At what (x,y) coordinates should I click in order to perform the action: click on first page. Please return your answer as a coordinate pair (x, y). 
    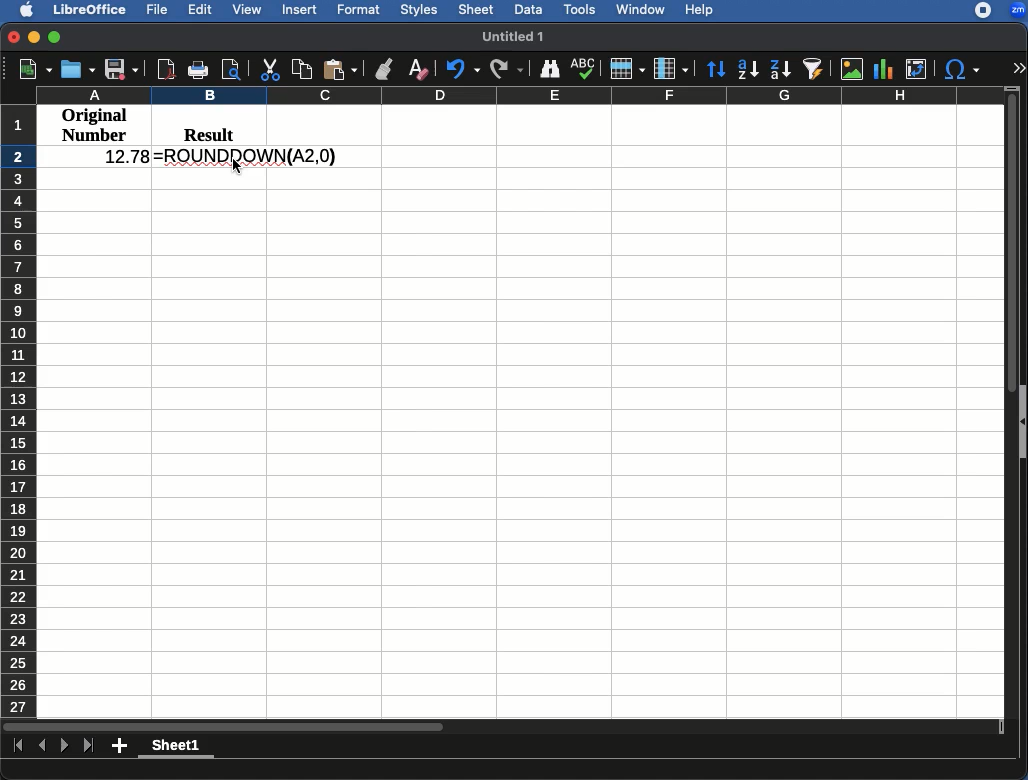
    Looking at the image, I should click on (19, 747).